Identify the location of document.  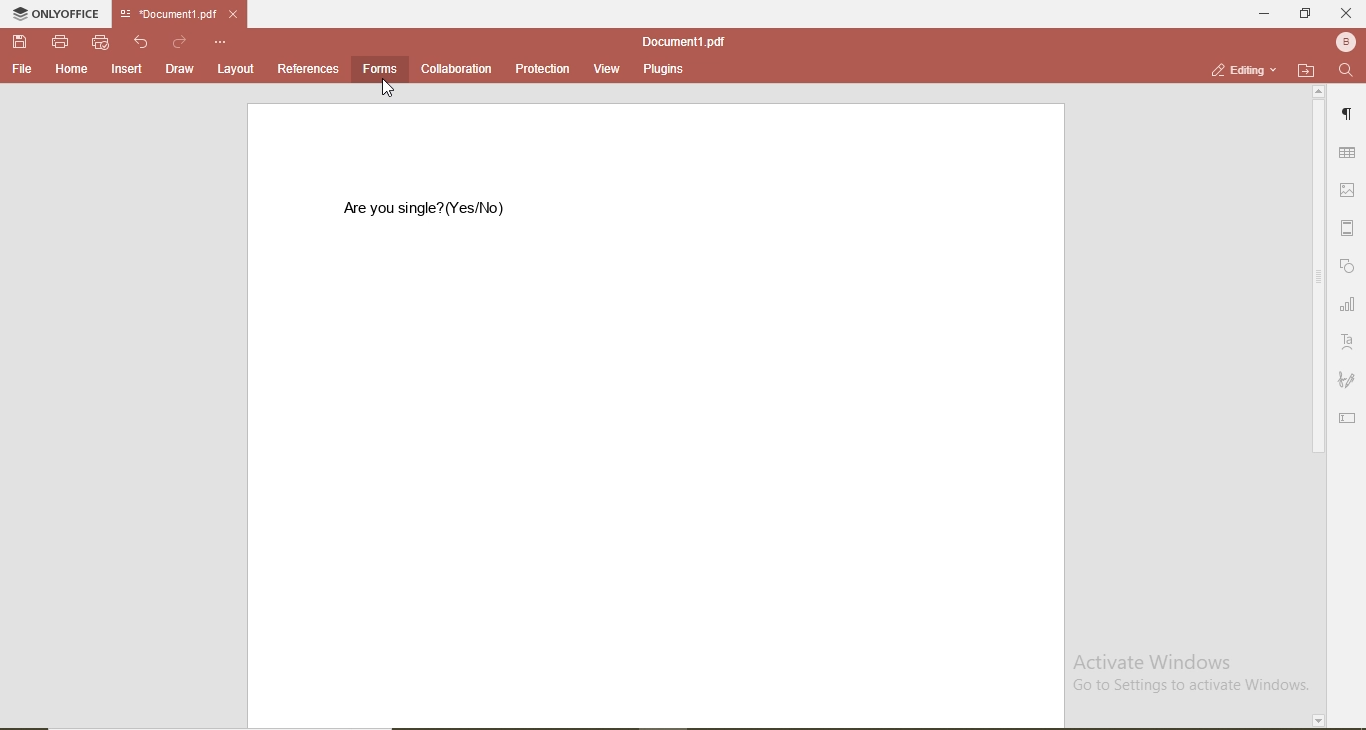
(681, 41).